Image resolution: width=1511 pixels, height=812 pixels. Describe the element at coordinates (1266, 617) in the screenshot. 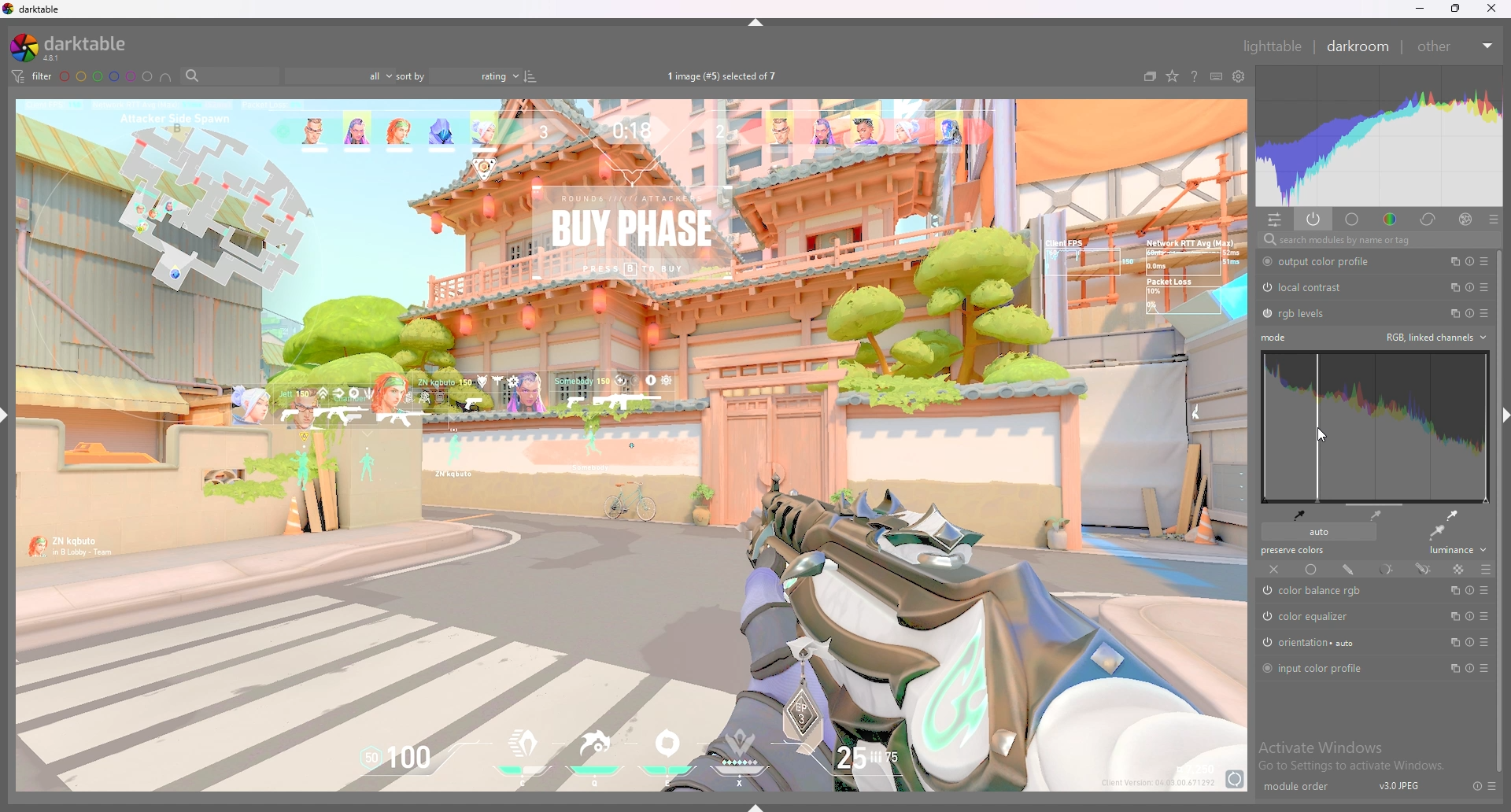

I see `switched on` at that location.